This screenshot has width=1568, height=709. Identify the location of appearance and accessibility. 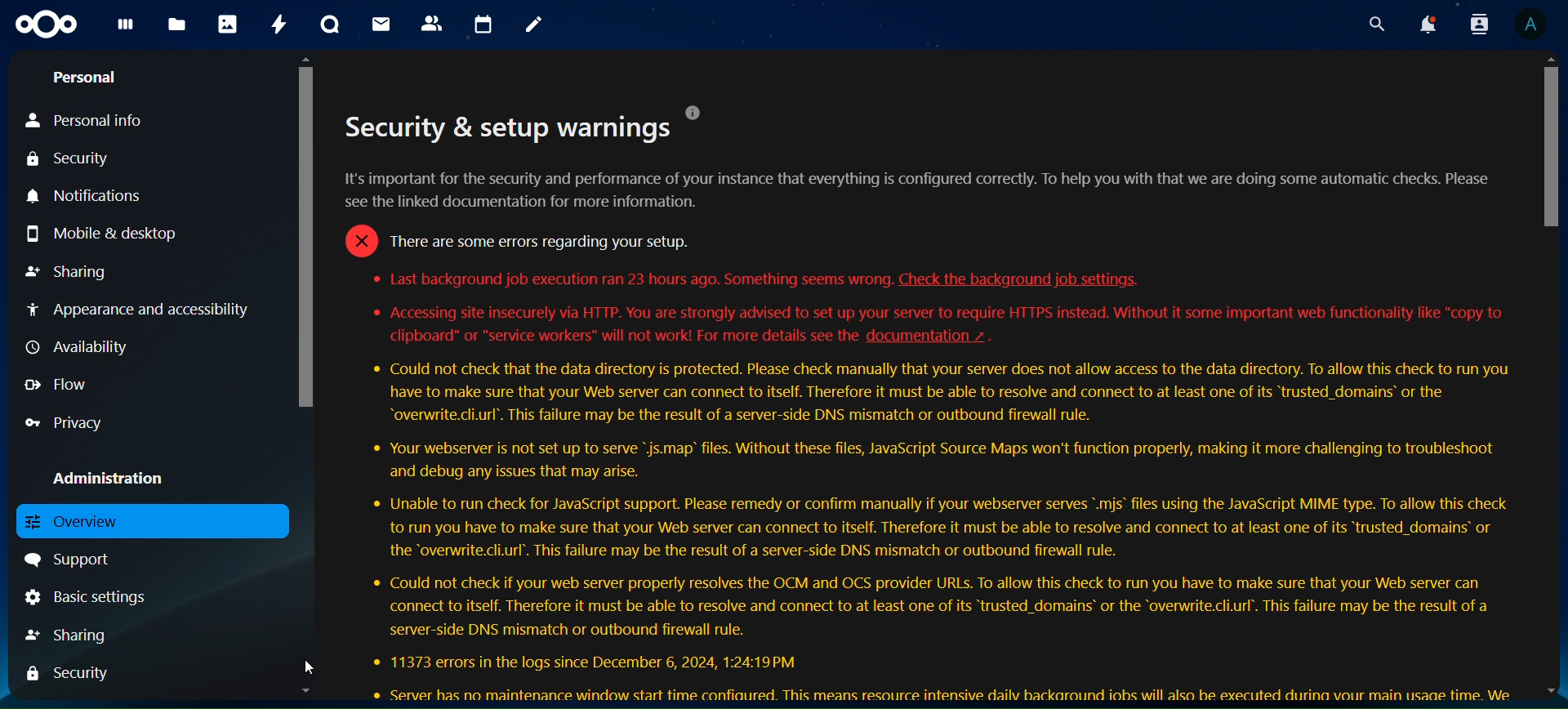
(145, 309).